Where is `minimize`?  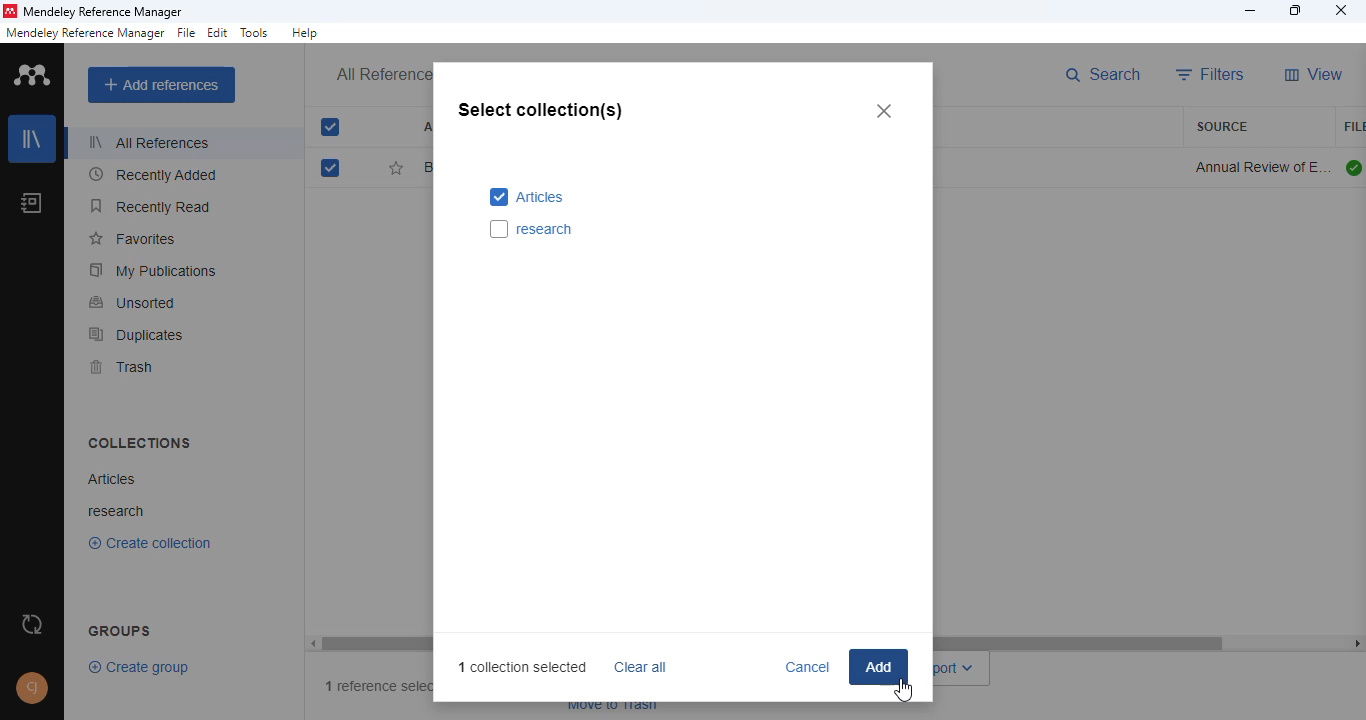
minimize is located at coordinates (1251, 12).